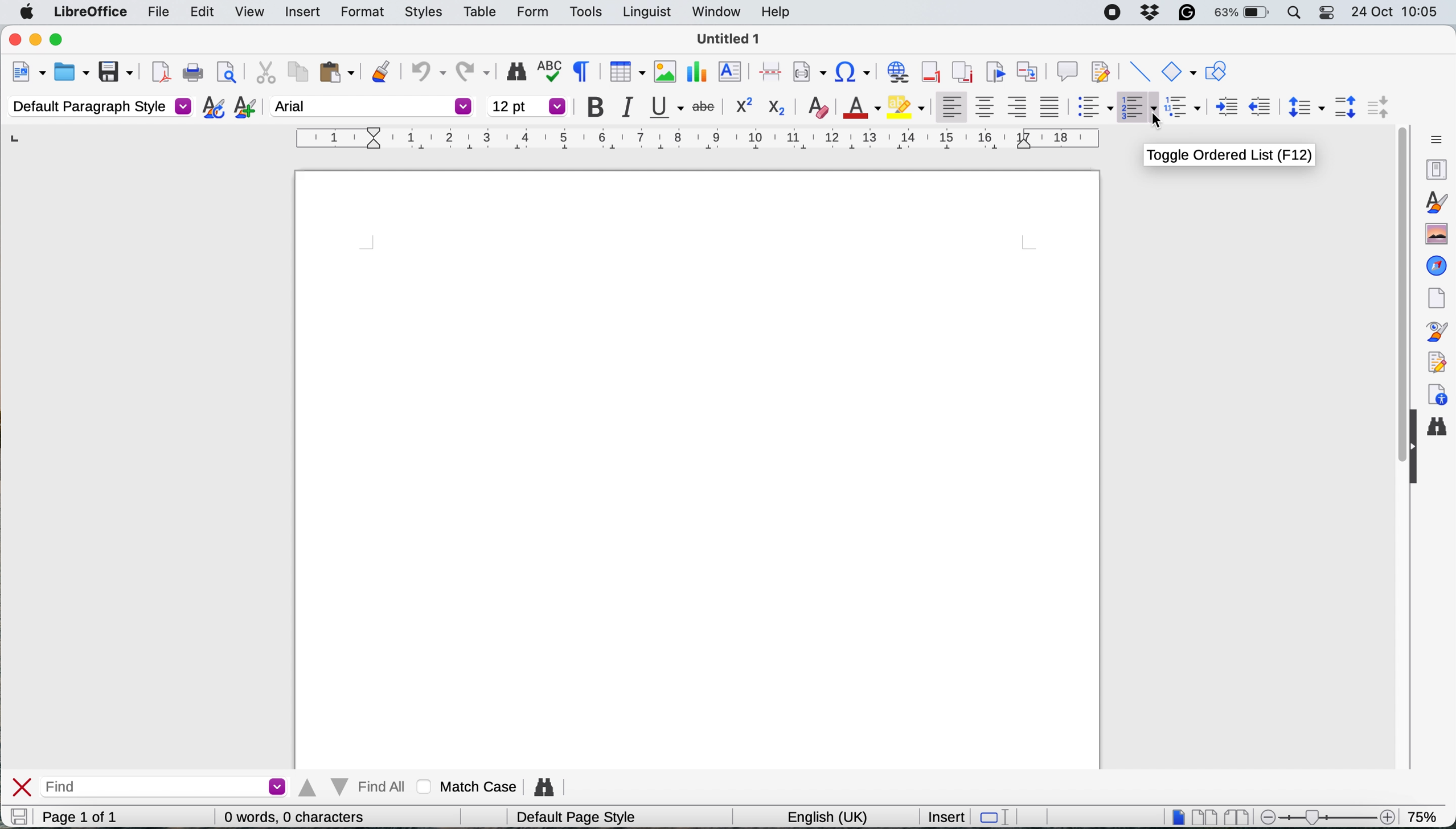  What do you see at coordinates (1114, 13) in the screenshot?
I see `screen recorder` at bounding box center [1114, 13].